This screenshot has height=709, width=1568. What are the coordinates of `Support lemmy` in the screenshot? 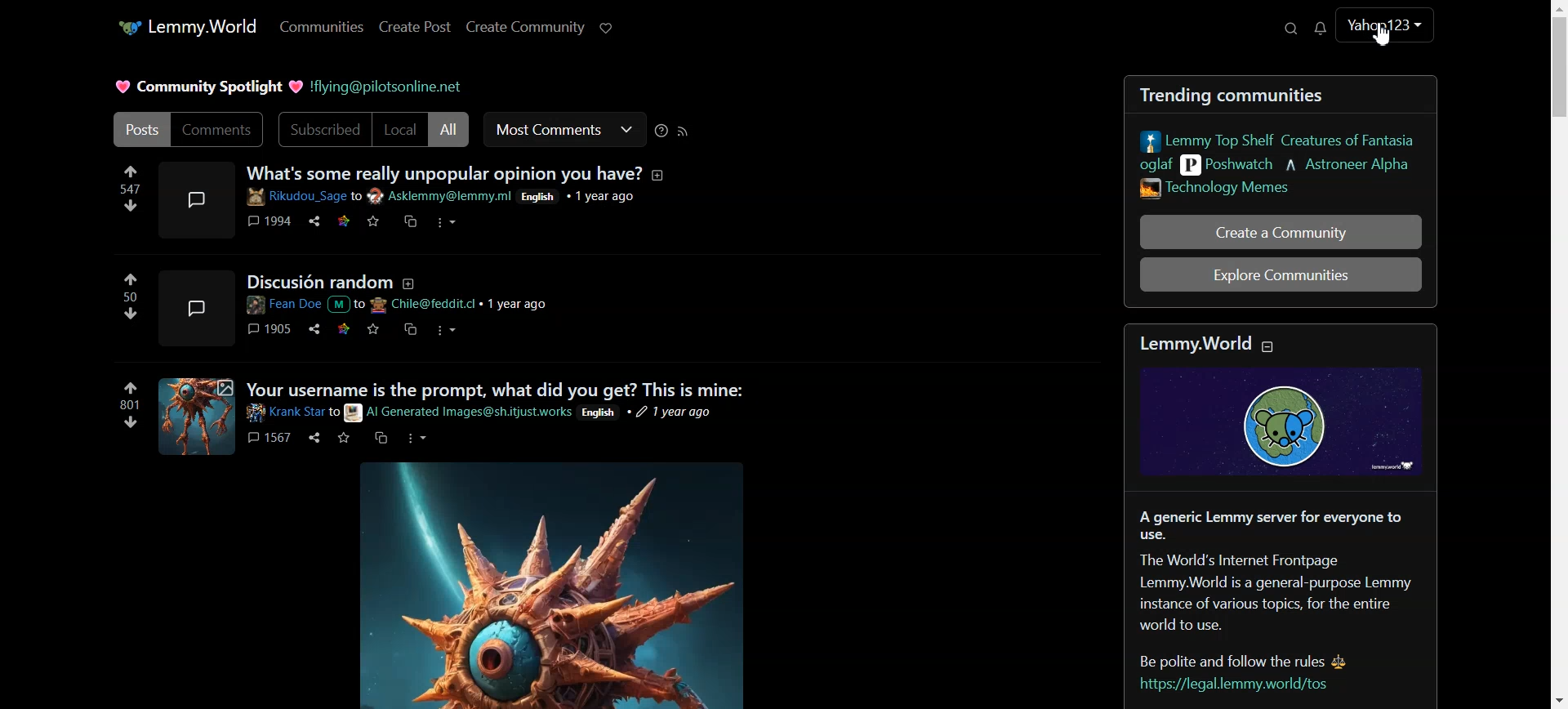 It's located at (604, 28).